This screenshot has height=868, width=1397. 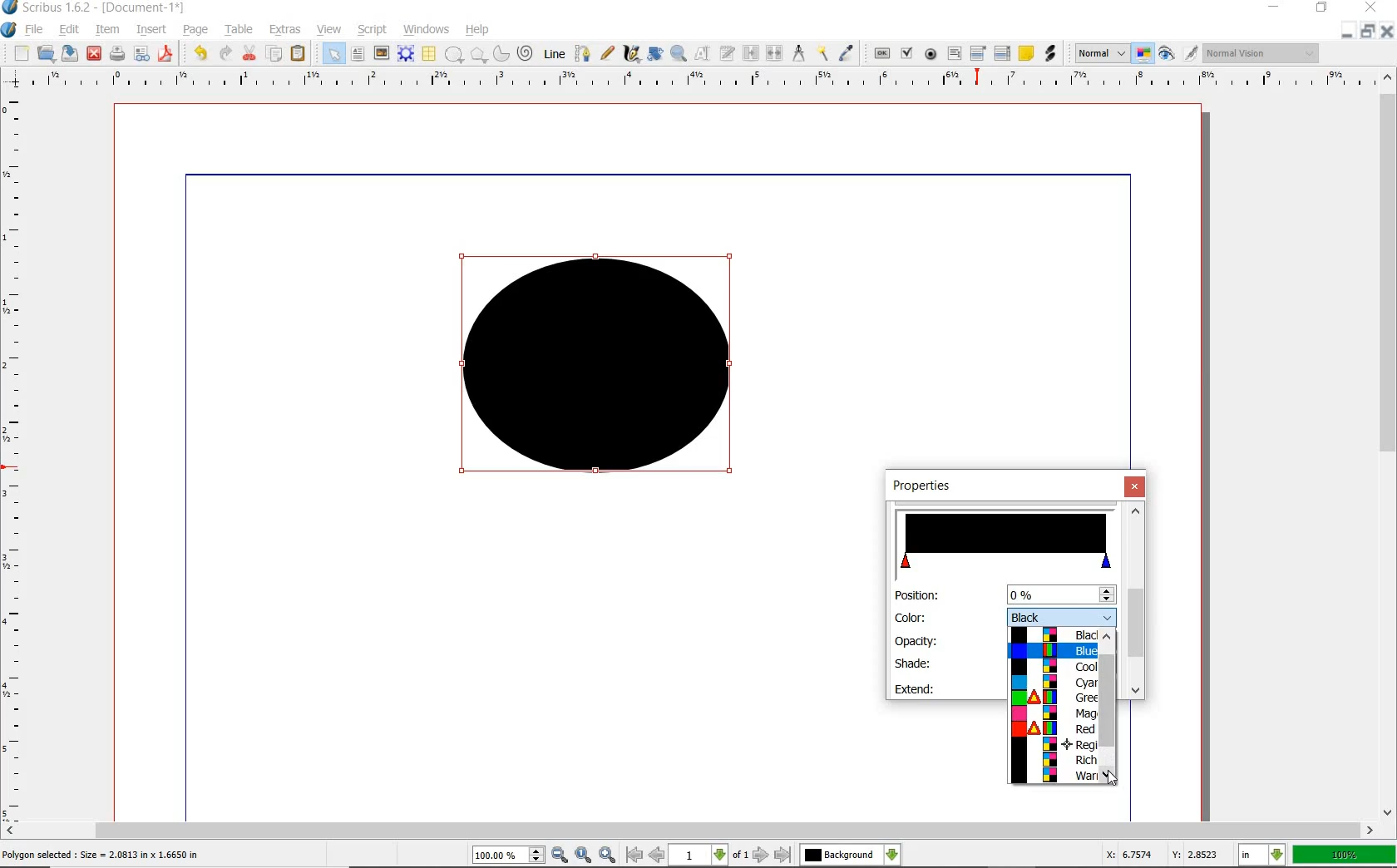 I want to click on SHAPE, so click(x=453, y=55).